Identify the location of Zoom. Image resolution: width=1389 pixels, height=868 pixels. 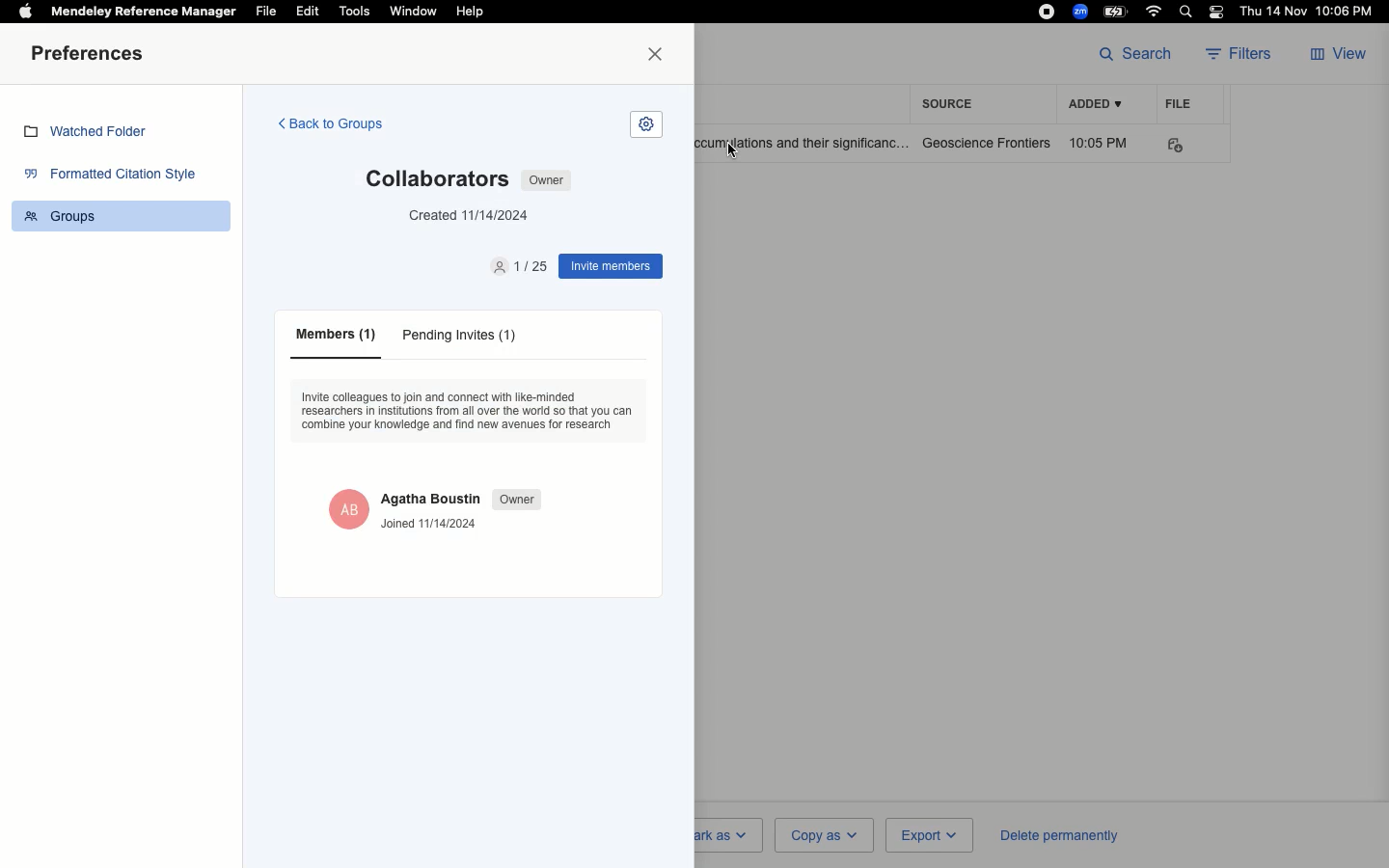
(1081, 12).